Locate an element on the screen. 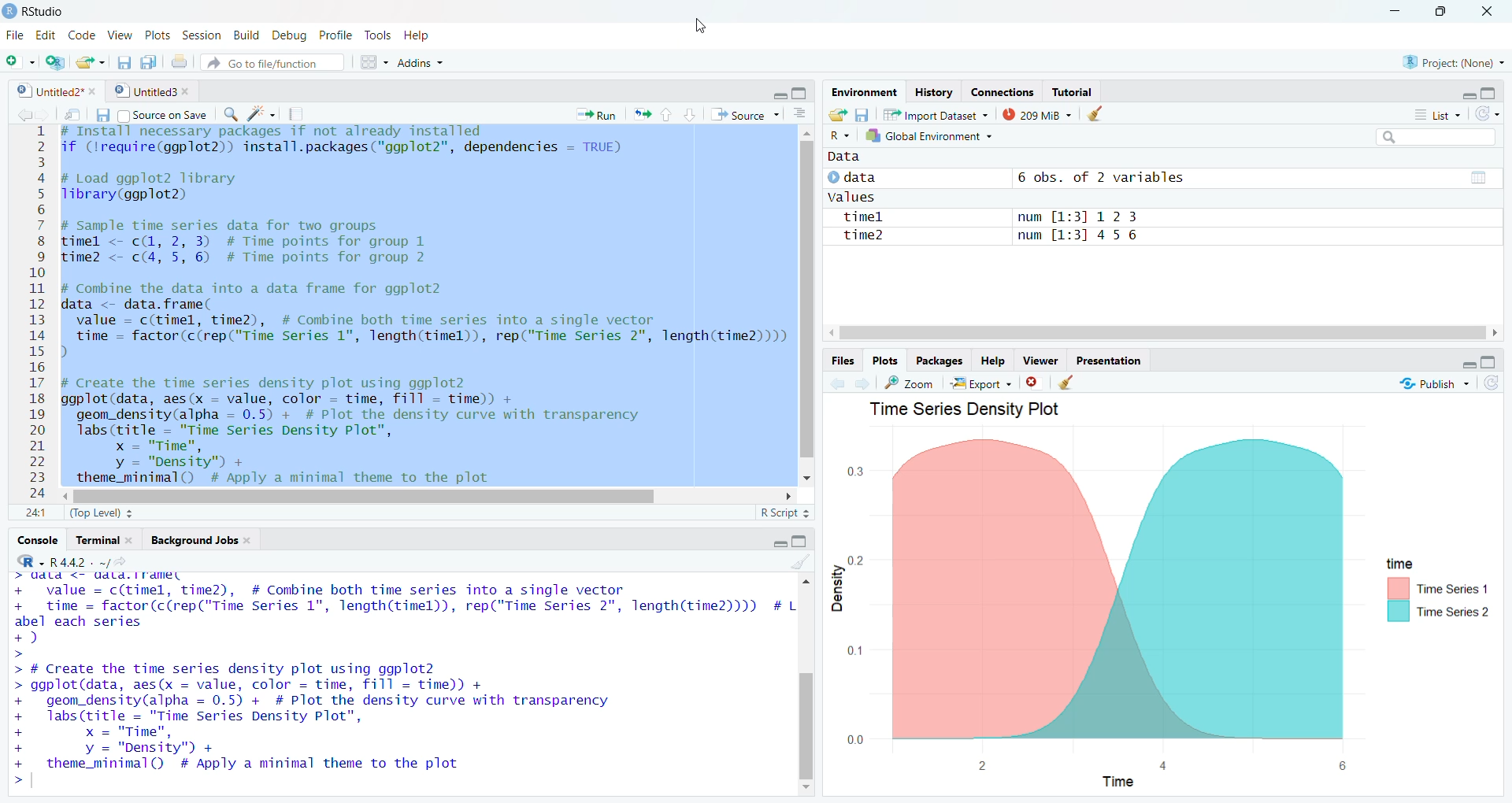 Image resolution: width=1512 pixels, height=803 pixels. Re-run is located at coordinates (641, 113).